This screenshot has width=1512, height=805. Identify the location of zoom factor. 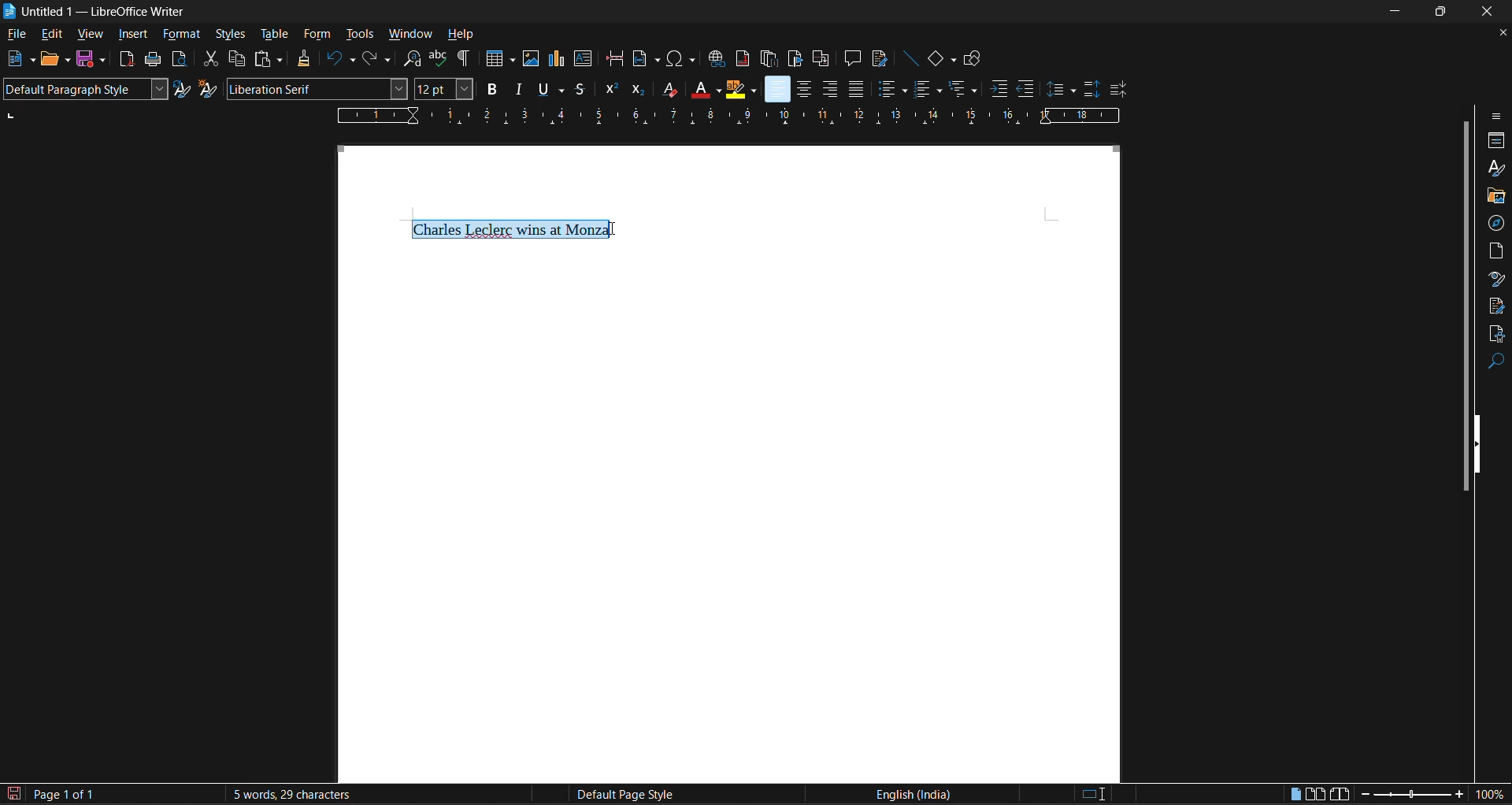
(1492, 793).